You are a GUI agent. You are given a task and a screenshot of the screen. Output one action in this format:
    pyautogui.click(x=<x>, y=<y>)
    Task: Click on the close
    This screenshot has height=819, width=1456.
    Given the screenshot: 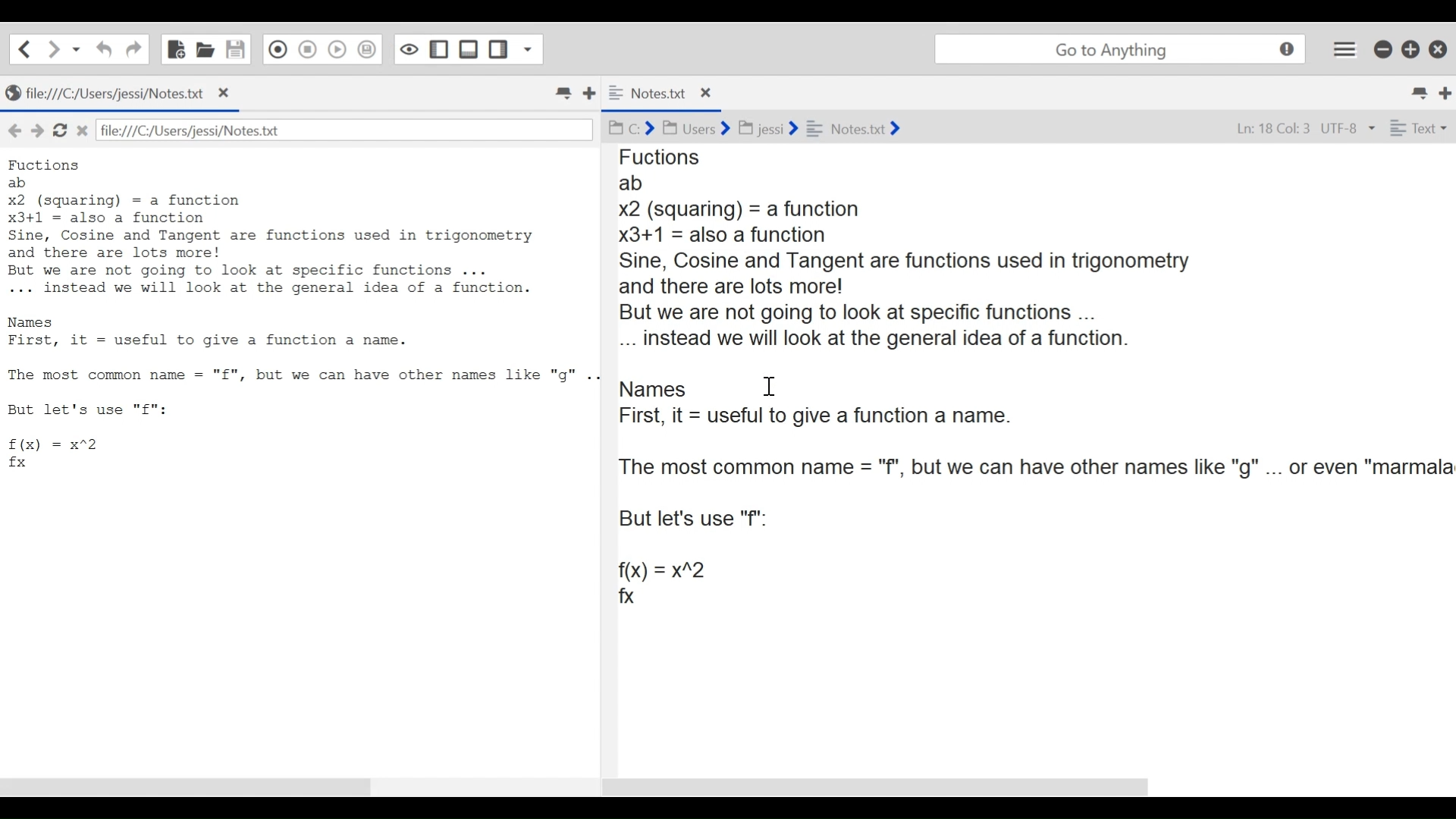 What is the action you would take?
    pyautogui.click(x=1439, y=48)
    